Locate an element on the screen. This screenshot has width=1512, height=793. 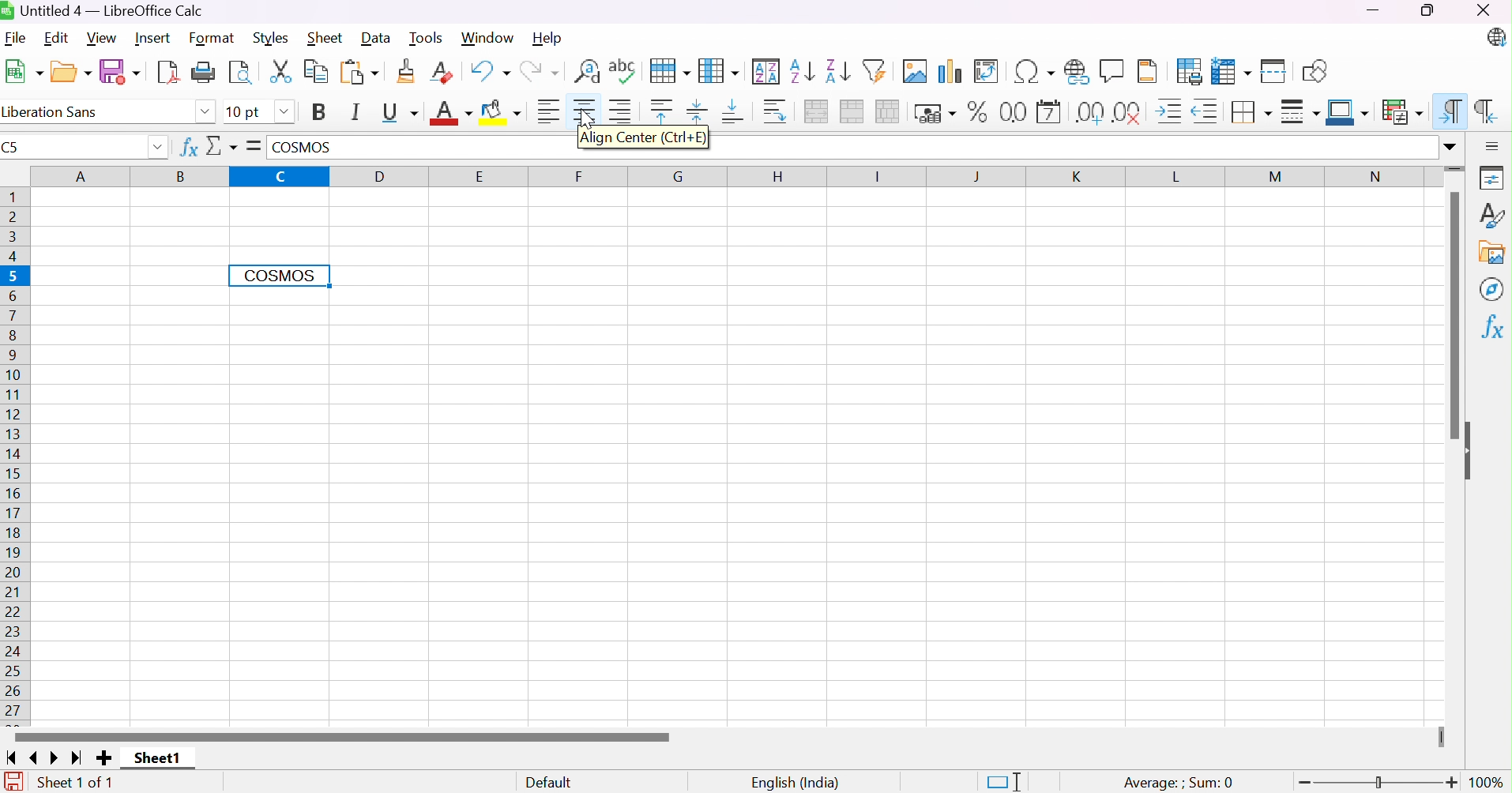
Paste is located at coordinates (358, 73).